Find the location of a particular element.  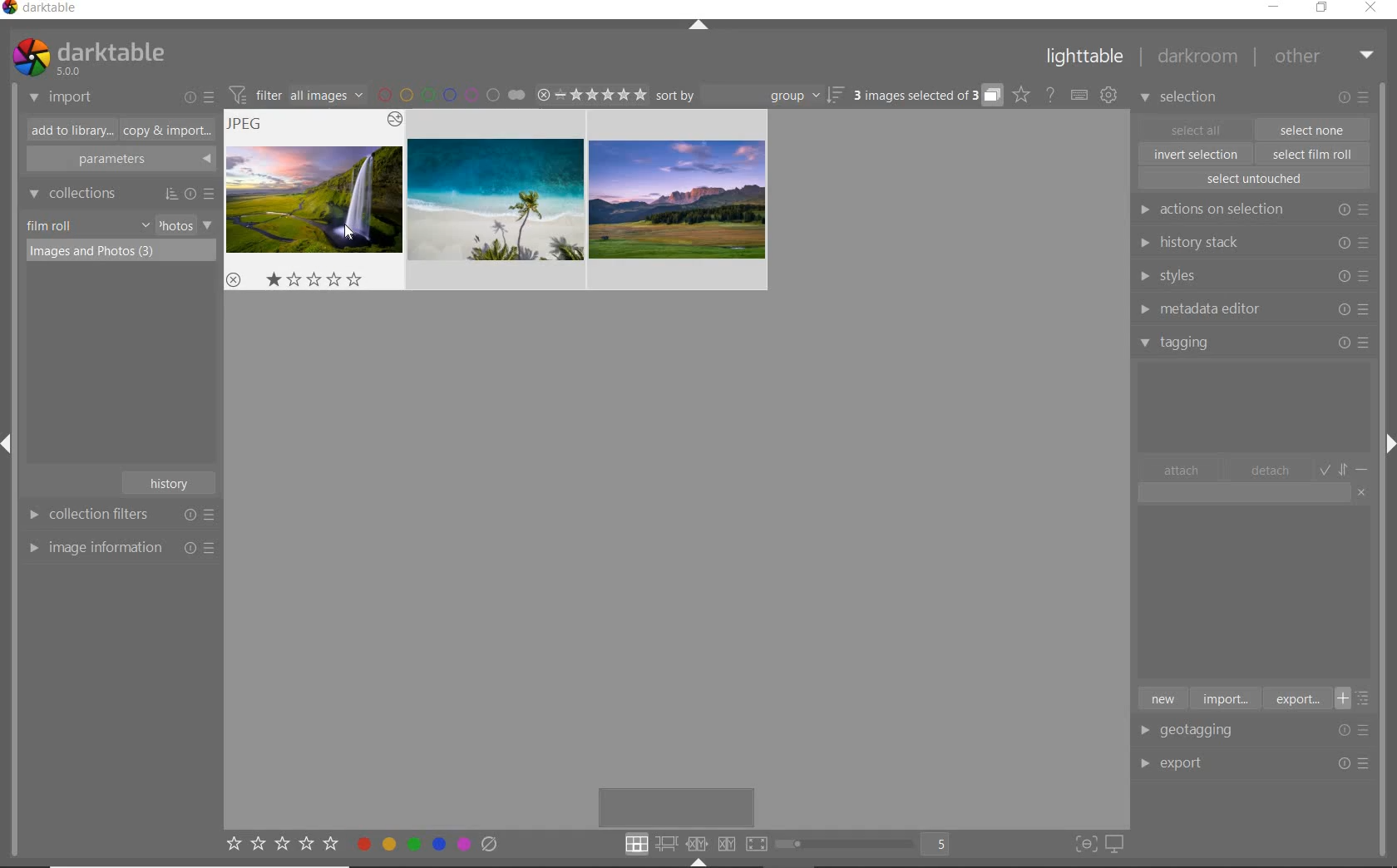

tagging is located at coordinates (1255, 342).